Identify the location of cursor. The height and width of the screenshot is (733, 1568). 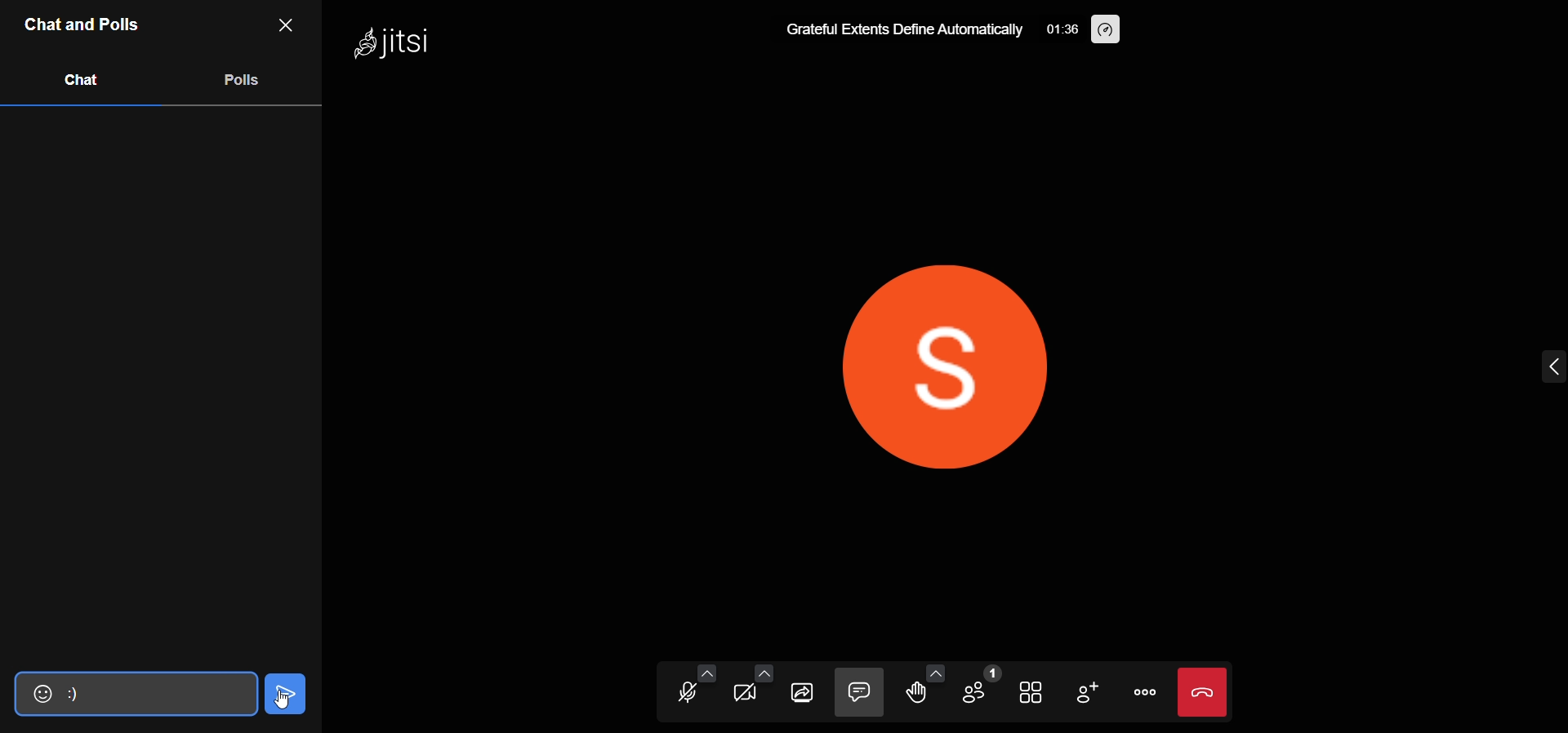
(285, 692).